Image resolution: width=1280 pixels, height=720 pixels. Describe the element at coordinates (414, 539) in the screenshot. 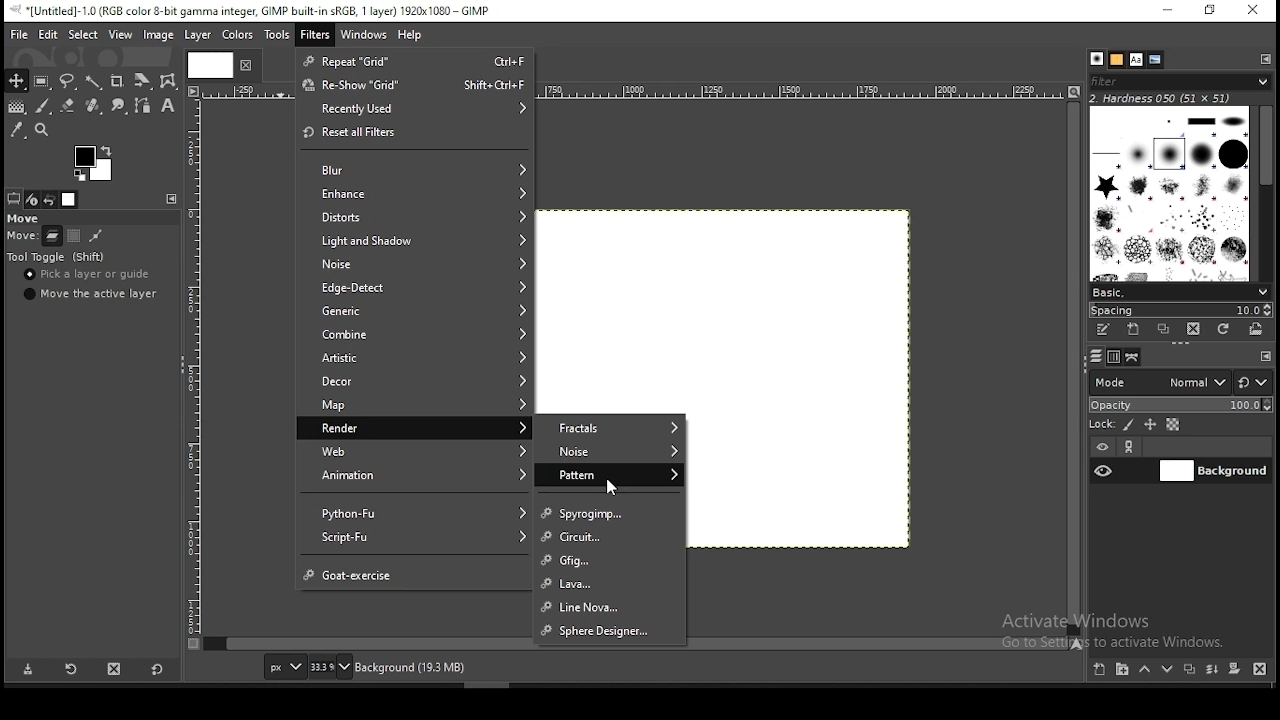

I see `script Fu` at that location.